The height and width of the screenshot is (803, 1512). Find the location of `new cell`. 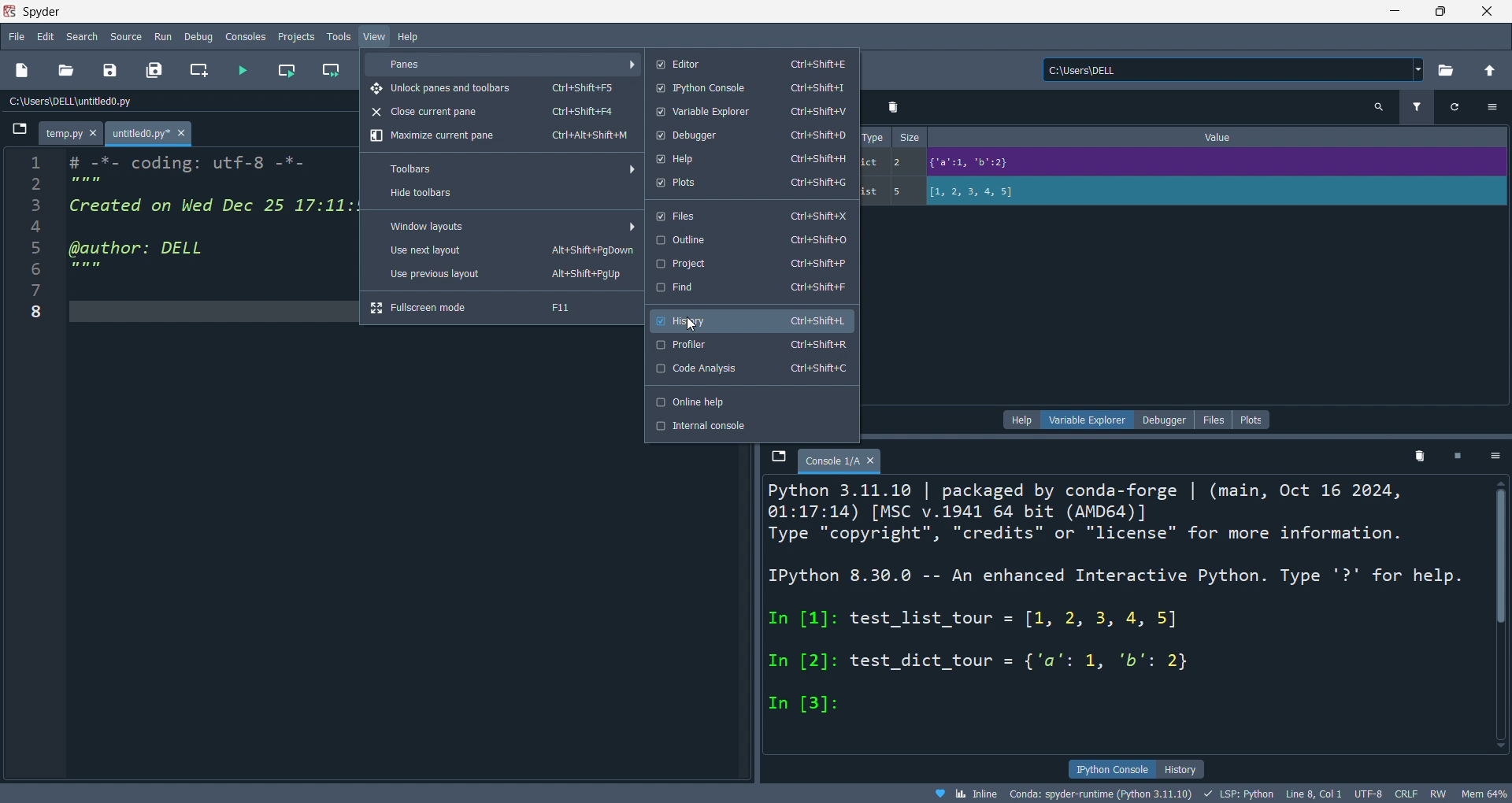

new cell is located at coordinates (197, 71).